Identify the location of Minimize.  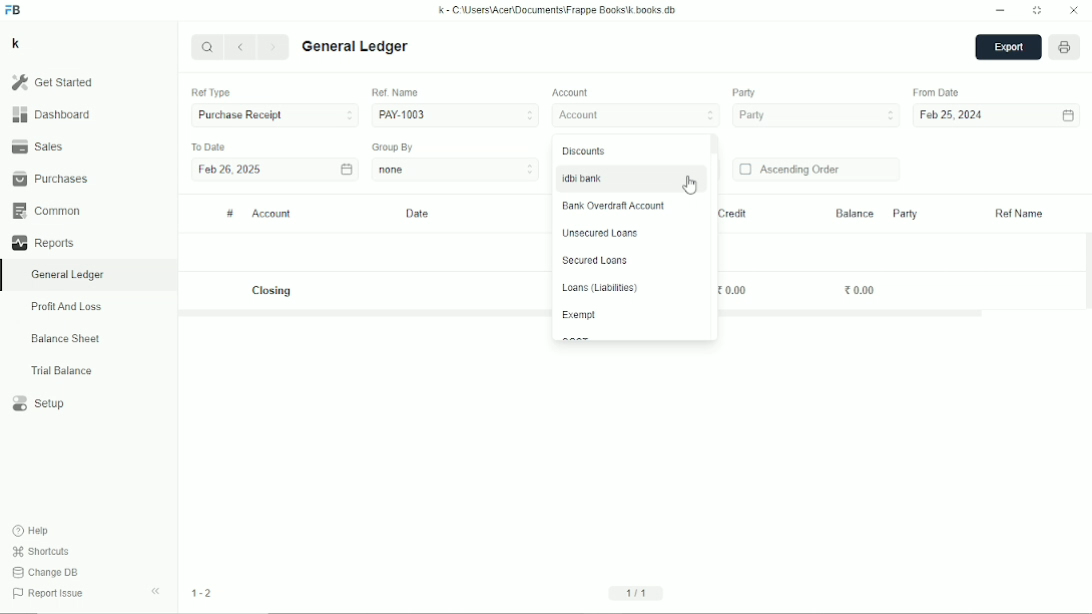
(1001, 11).